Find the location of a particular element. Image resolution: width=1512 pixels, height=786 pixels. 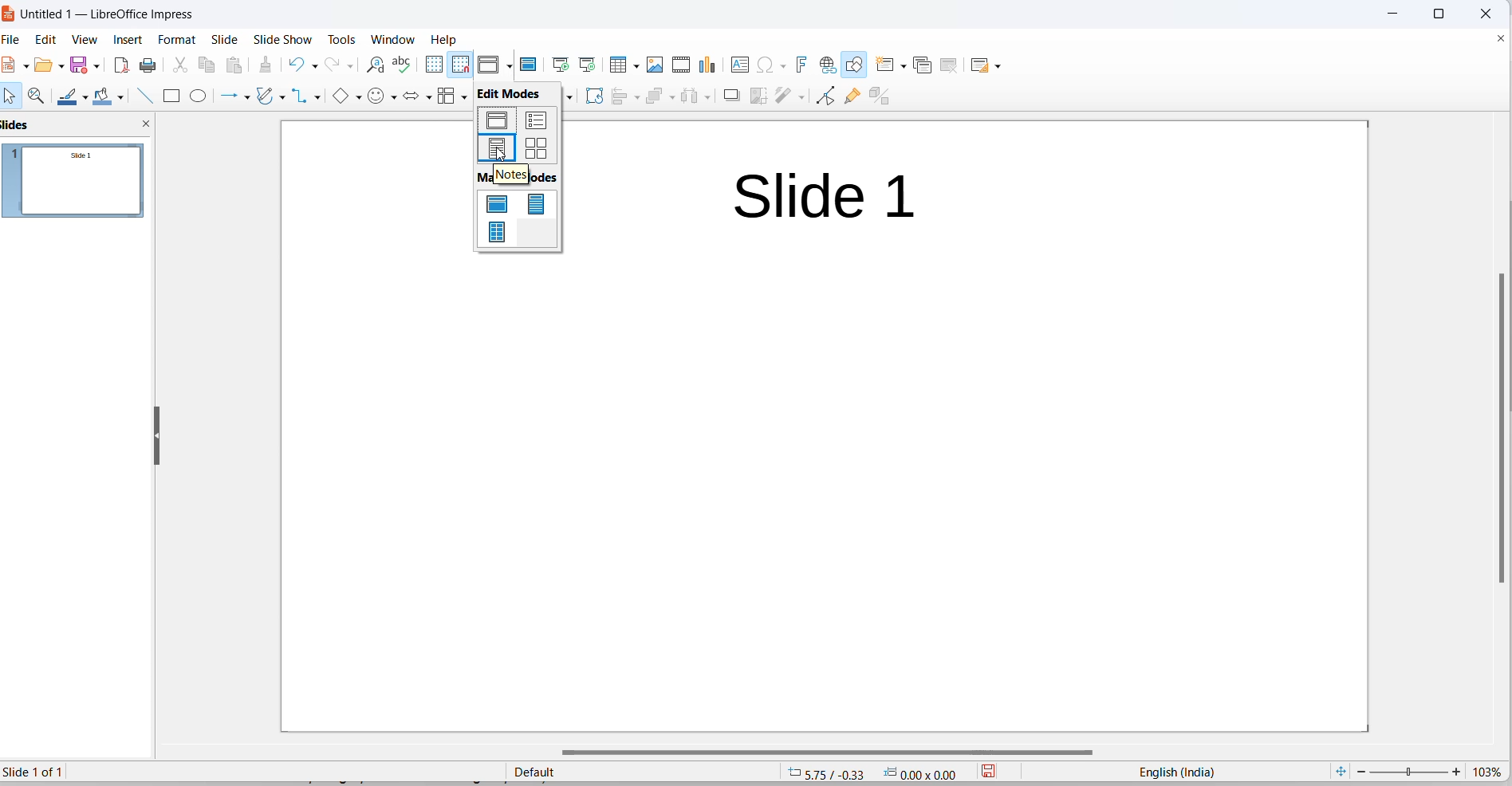

redo options is located at coordinates (350, 65).